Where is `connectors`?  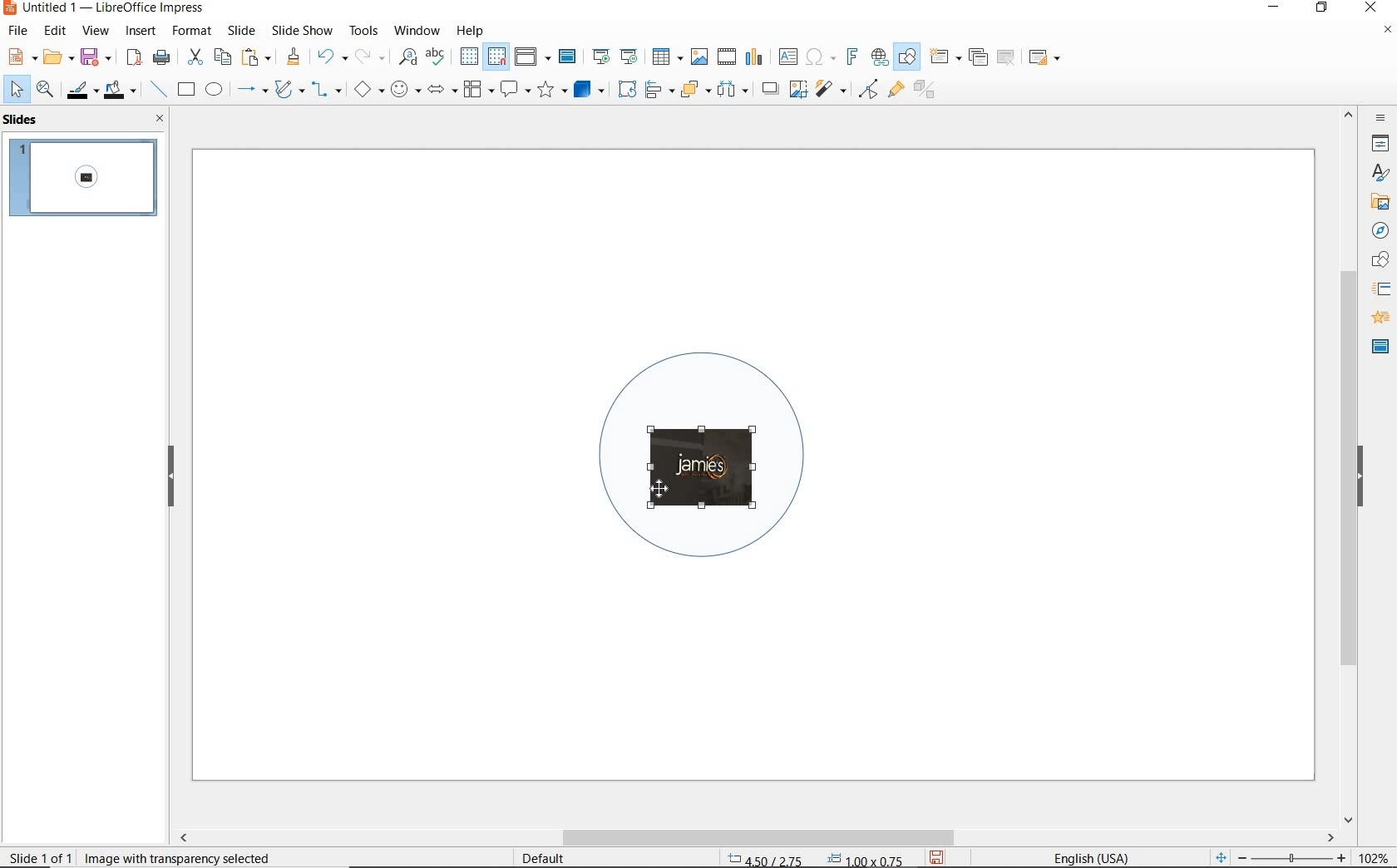 connectors is located at coordinates (327, 91).